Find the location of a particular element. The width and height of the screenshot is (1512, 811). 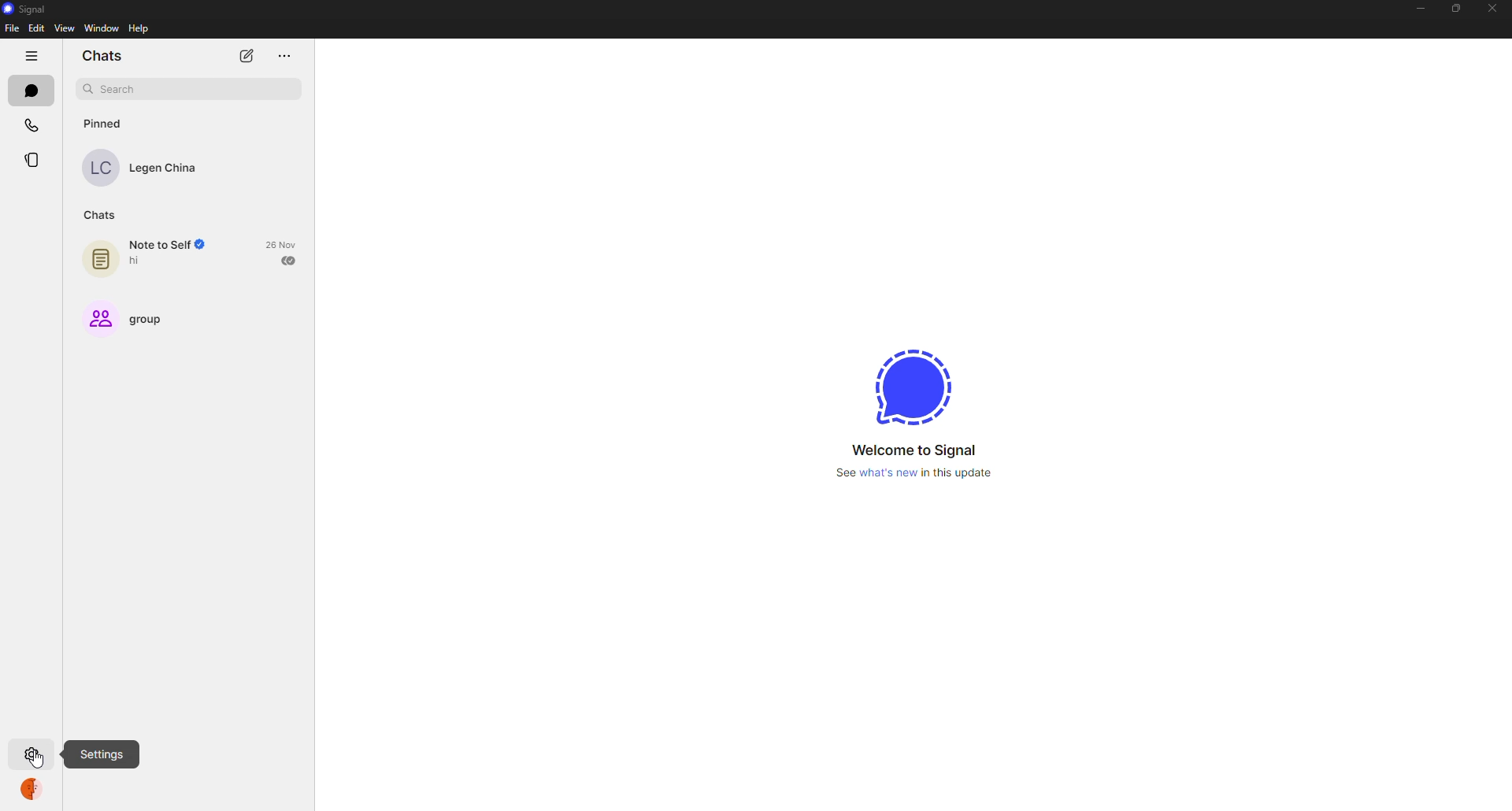

help is located at coordinates (141, 28).